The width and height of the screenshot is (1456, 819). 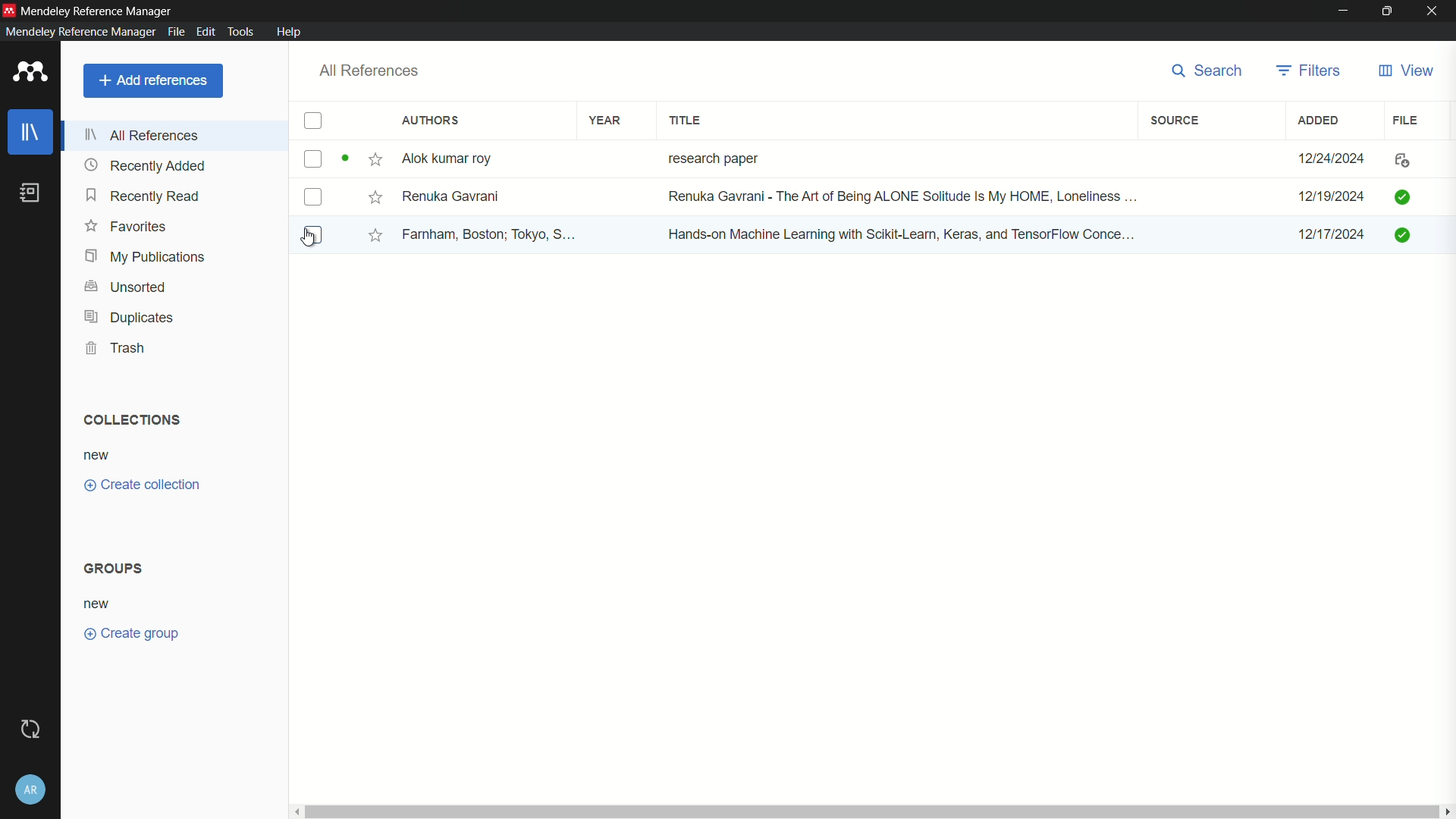 I want to click on checkbox, so click(x=312, y=235).